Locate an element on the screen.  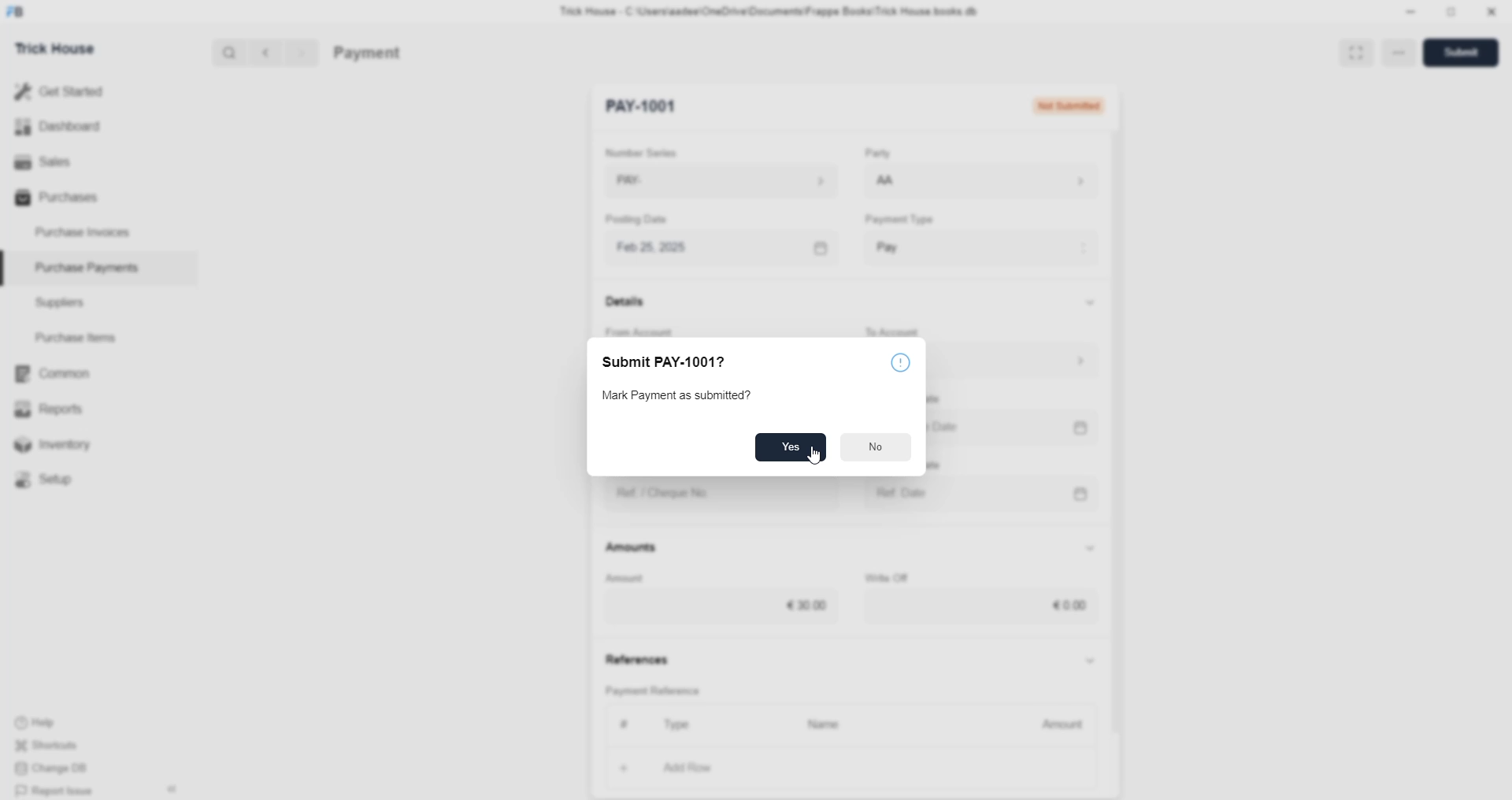
Shortcuts is located at coordinates (56, 747).